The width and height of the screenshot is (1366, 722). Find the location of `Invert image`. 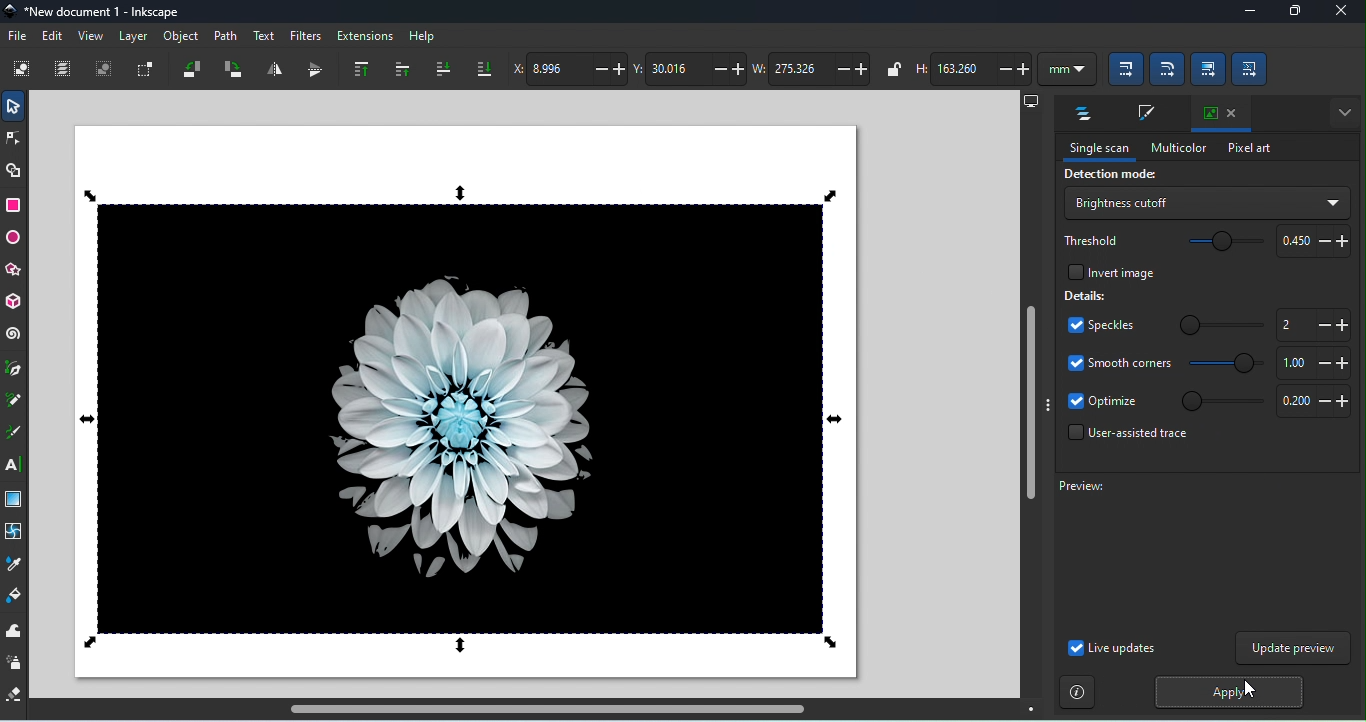

Invert image is located at coordinates (1105, 273).